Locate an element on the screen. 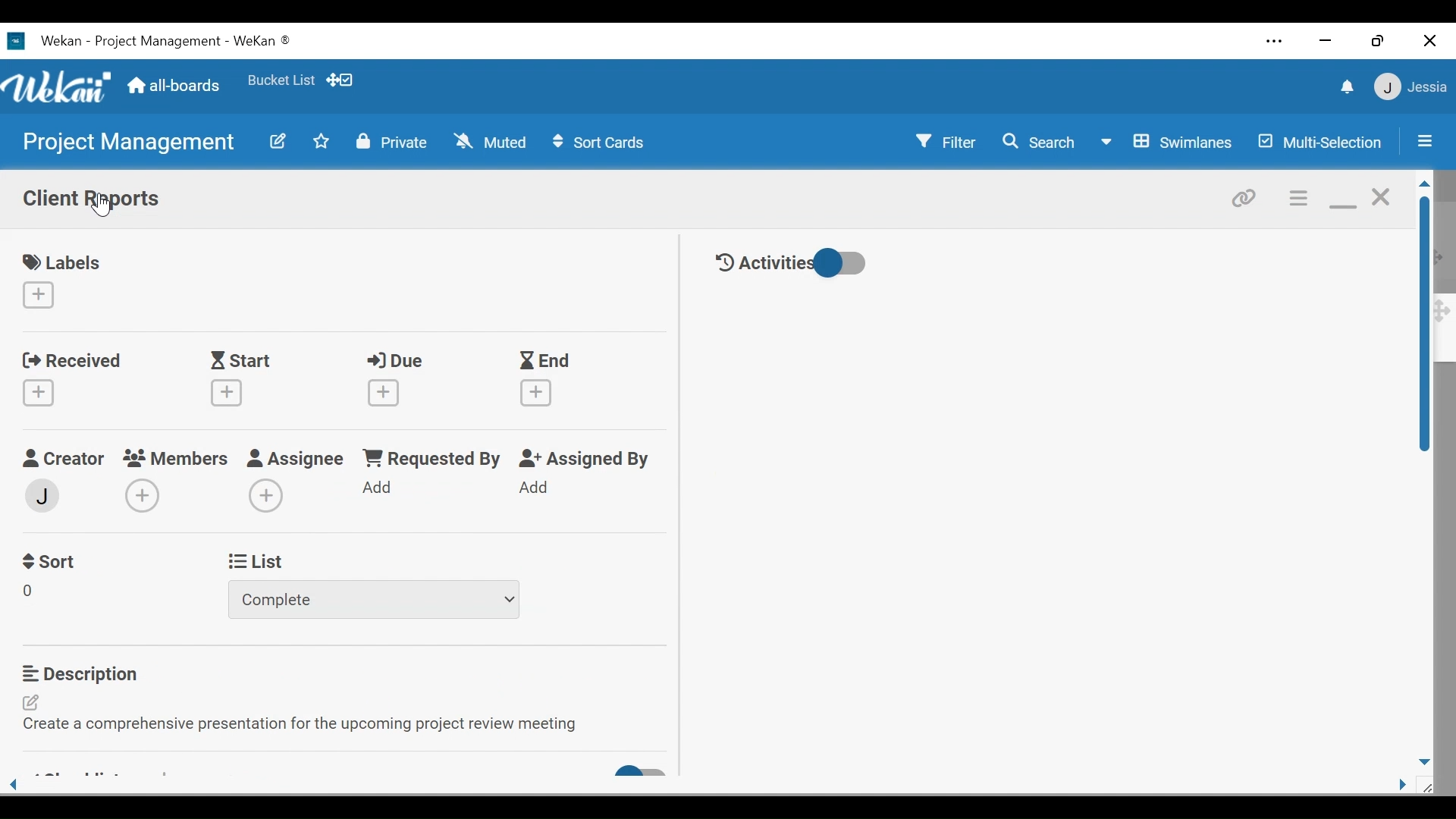 This screenshot has height=819, width=1456. Show/Hide desktop drag handle is located at coordinates (339, 80).